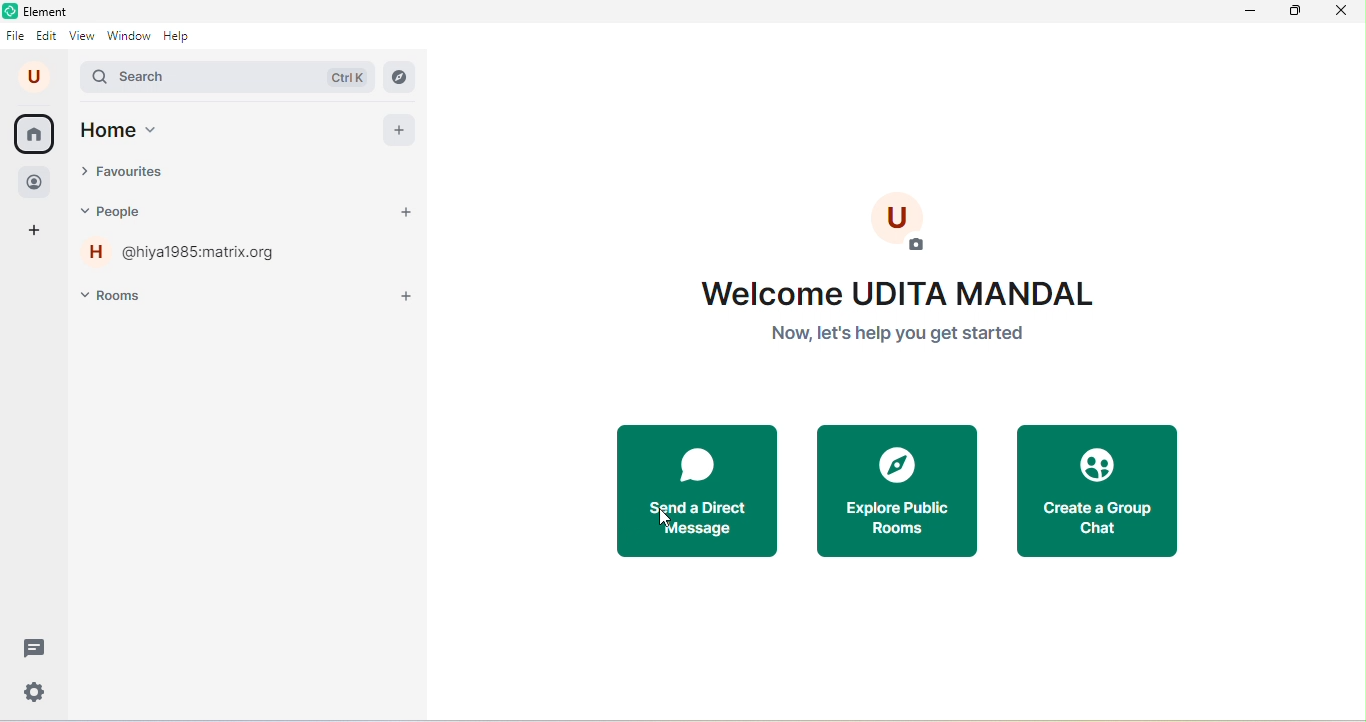  What do you see at coordinates (82, 35) in the screenshot?
I see `view` at bounding box center [82, 35].